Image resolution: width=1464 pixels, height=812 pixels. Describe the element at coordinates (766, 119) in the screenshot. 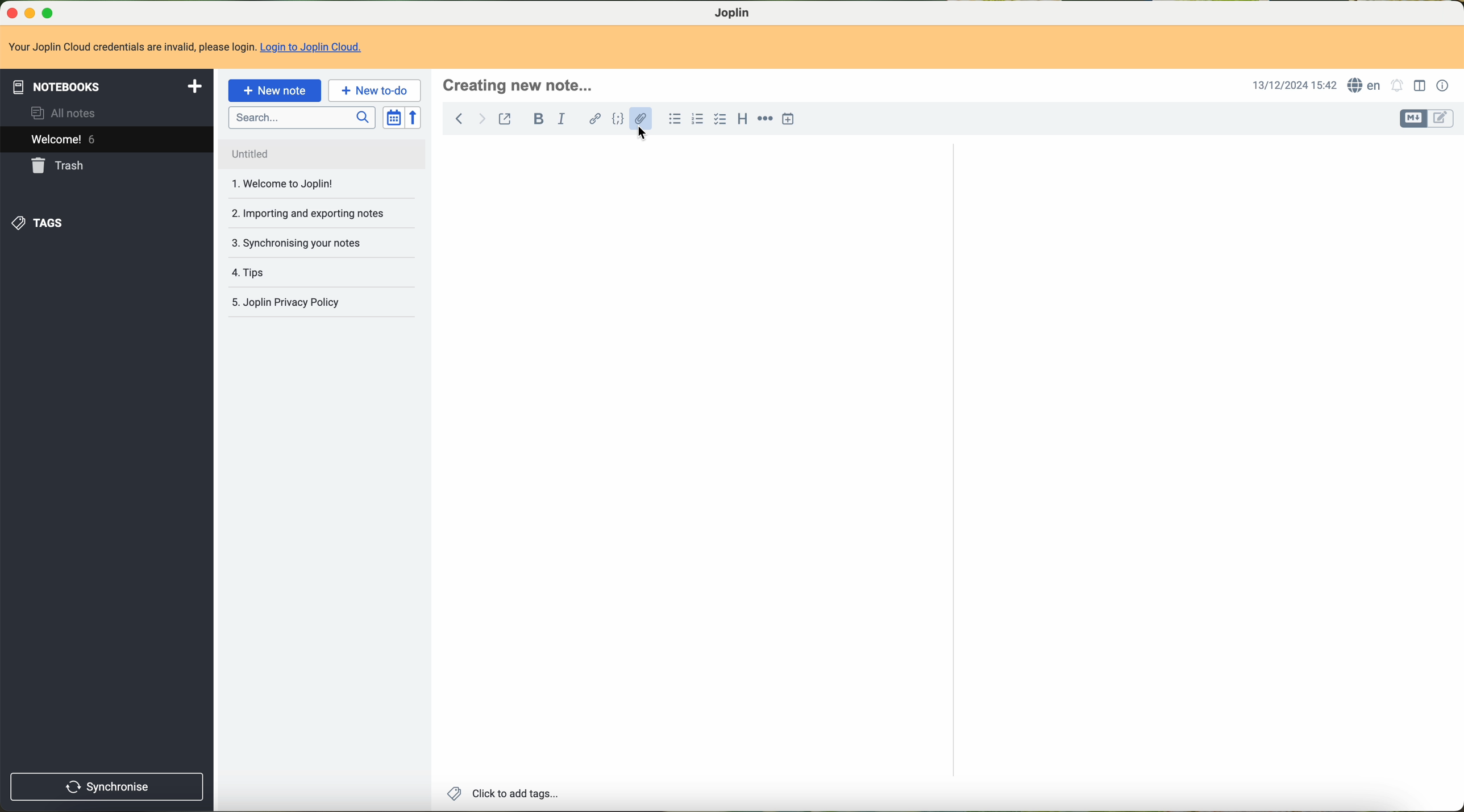

I see `horizontal rule` at that location.